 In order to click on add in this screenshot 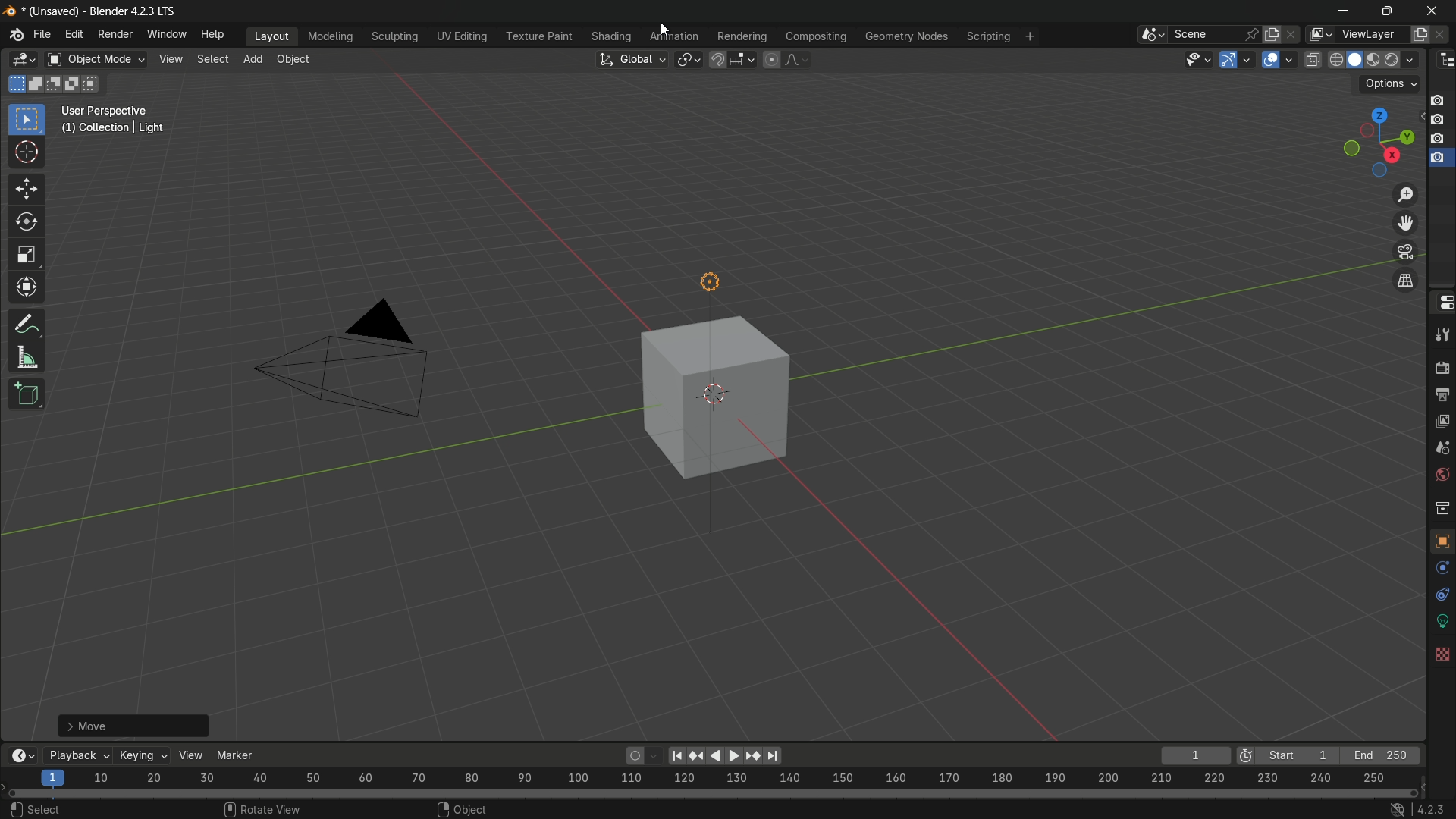, I will do `click(254, 59)`.